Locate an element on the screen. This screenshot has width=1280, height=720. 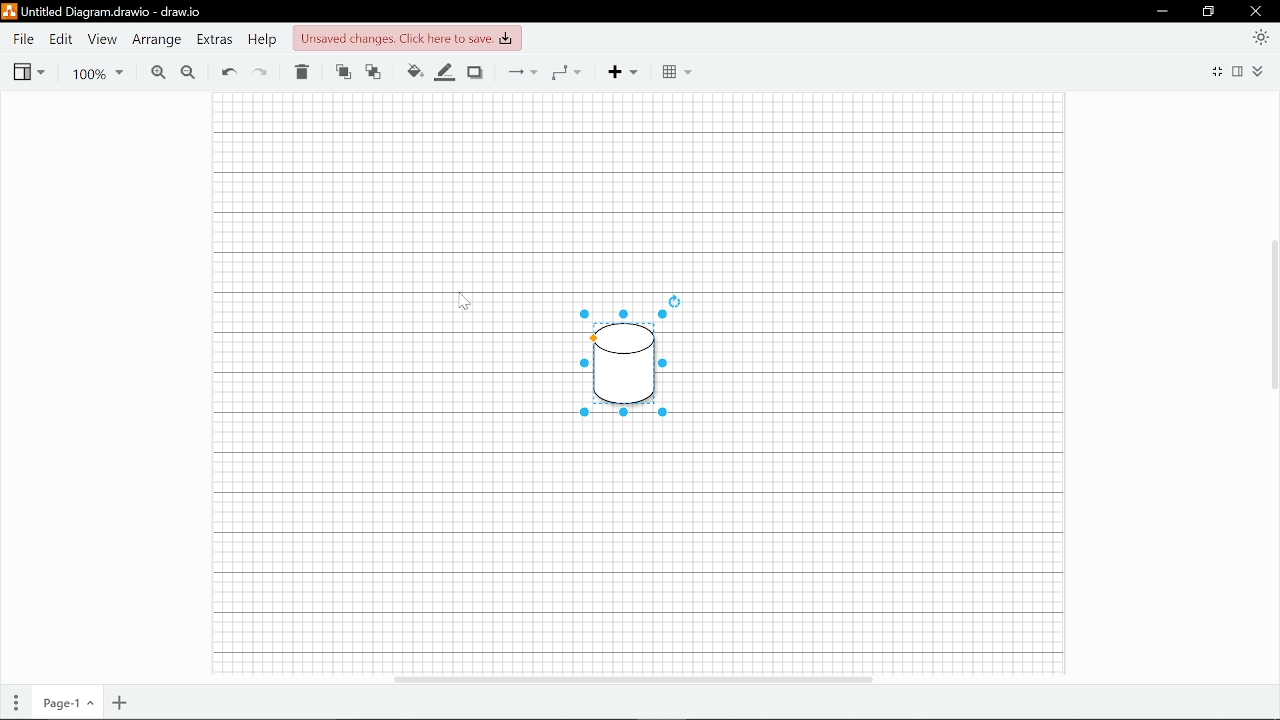
View is located at coordinates (29, 72).